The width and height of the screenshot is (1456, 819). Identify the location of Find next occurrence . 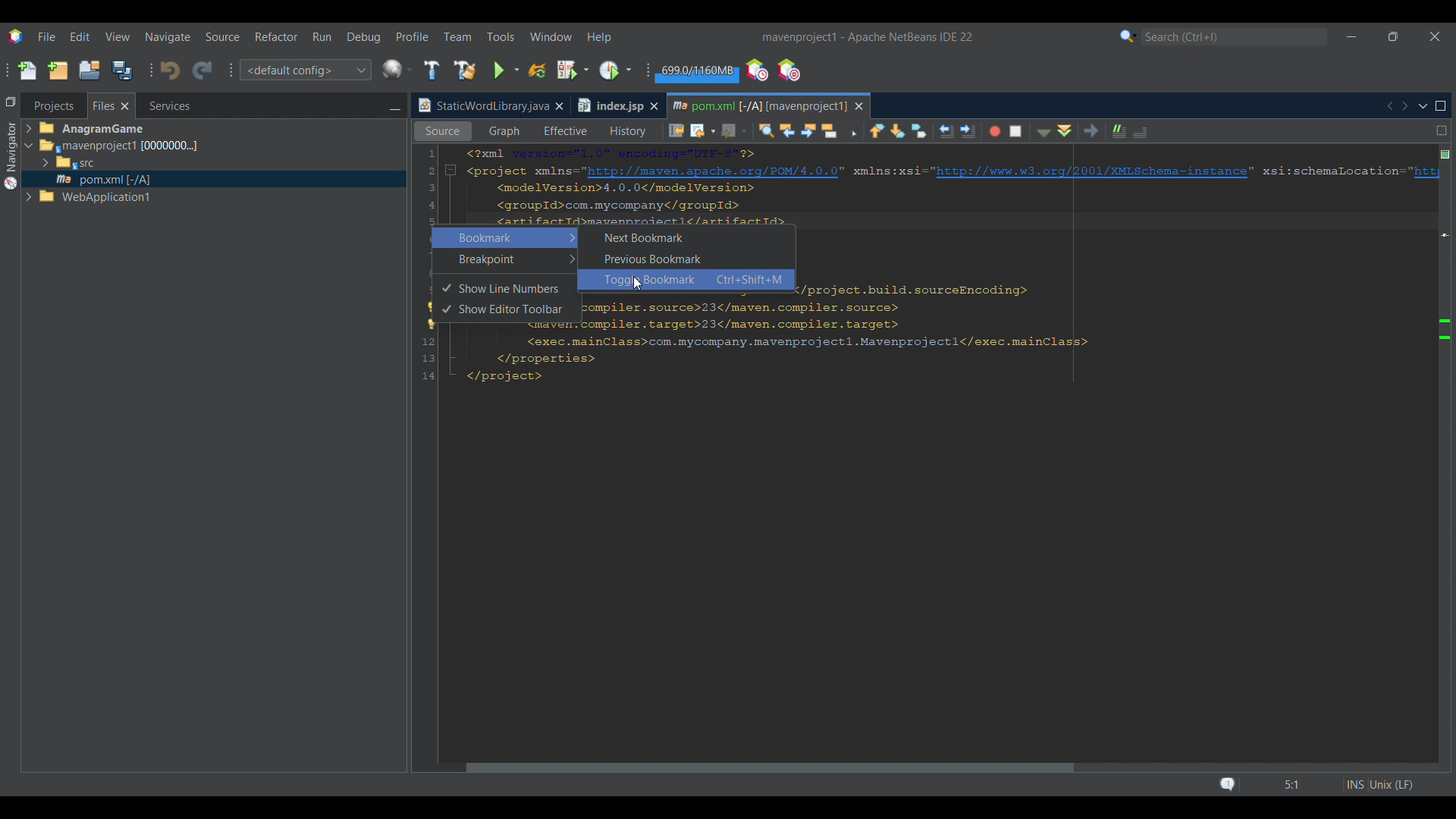
(808, 131).